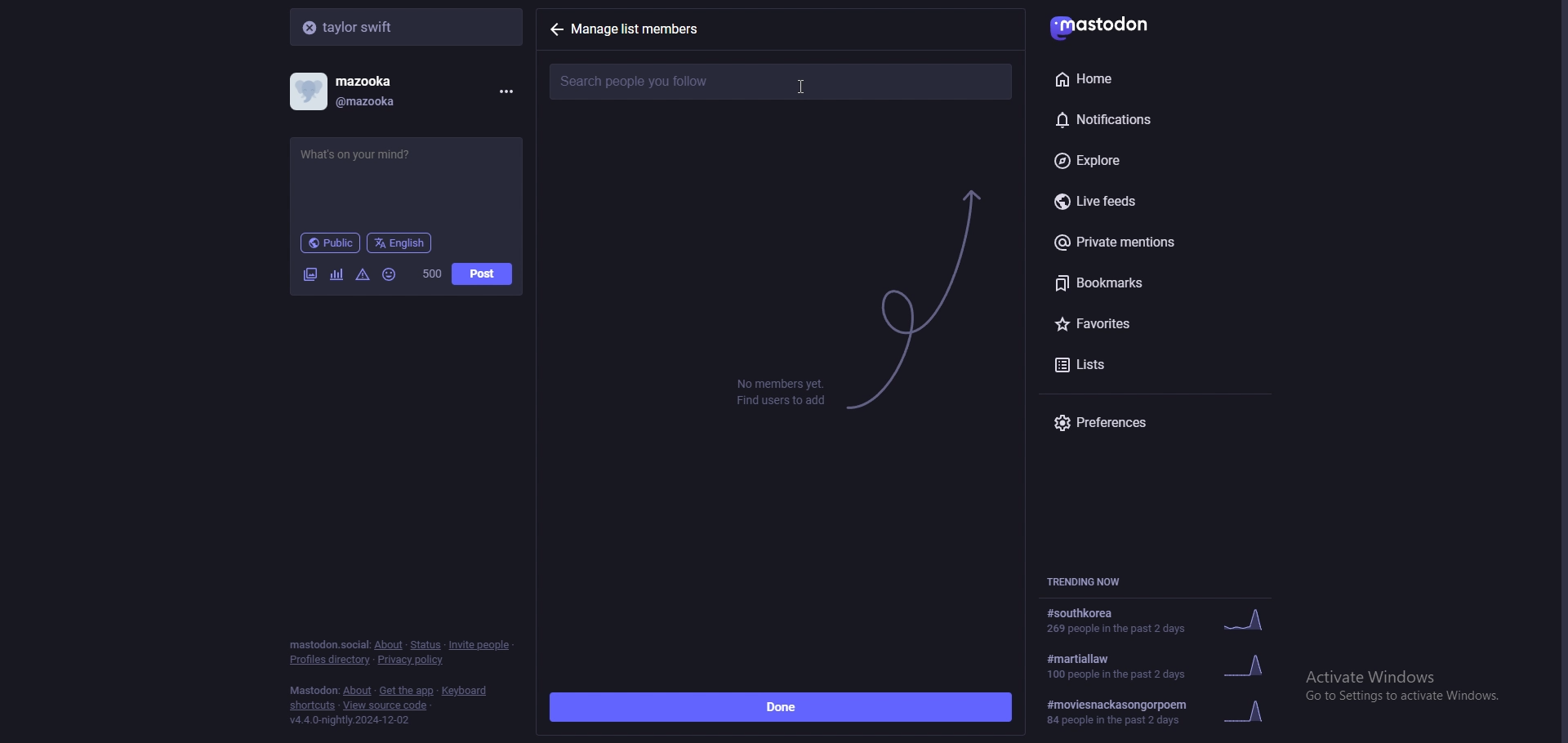  Describe the element at coordinates (1160, 422) in the screenshot. I see `preferences` at that location.